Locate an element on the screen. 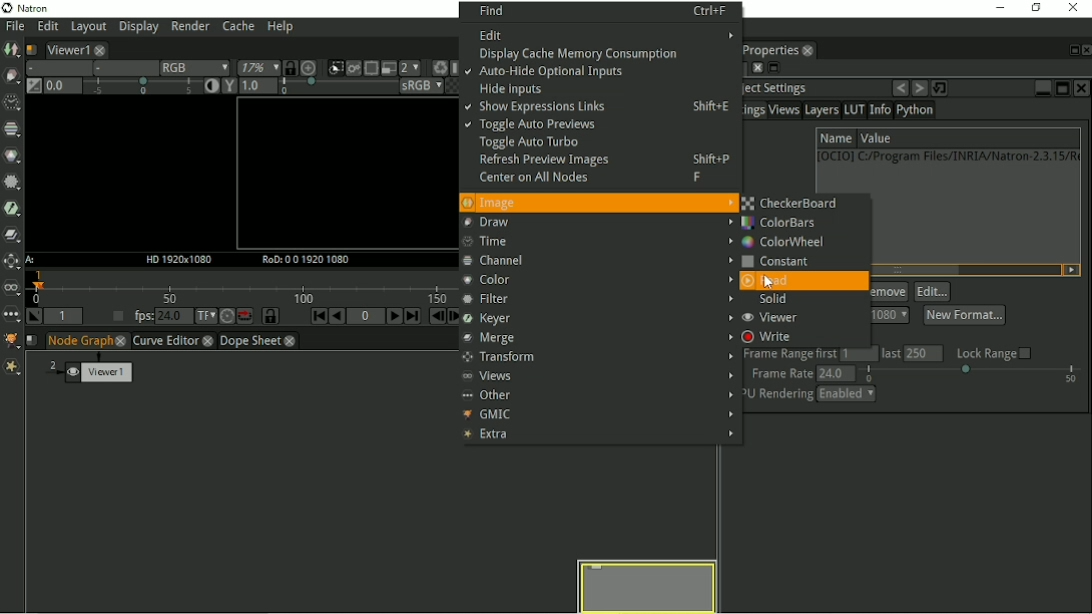 The width and height of the screenshot is (1092, 614). frame rate is located at coordinates (918, 373).